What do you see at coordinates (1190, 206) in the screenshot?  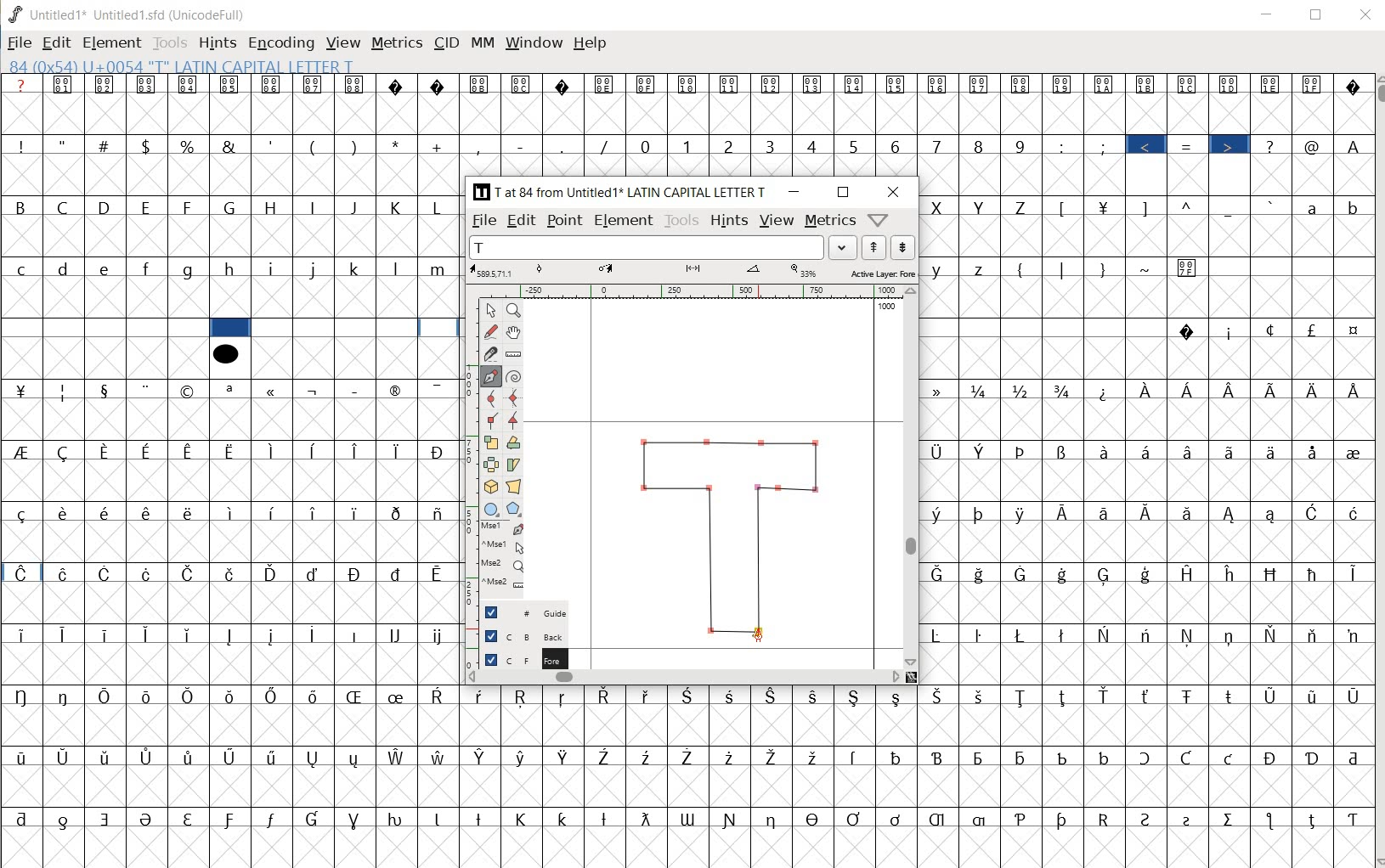 I see `^` at bounding box center [1190, 206].